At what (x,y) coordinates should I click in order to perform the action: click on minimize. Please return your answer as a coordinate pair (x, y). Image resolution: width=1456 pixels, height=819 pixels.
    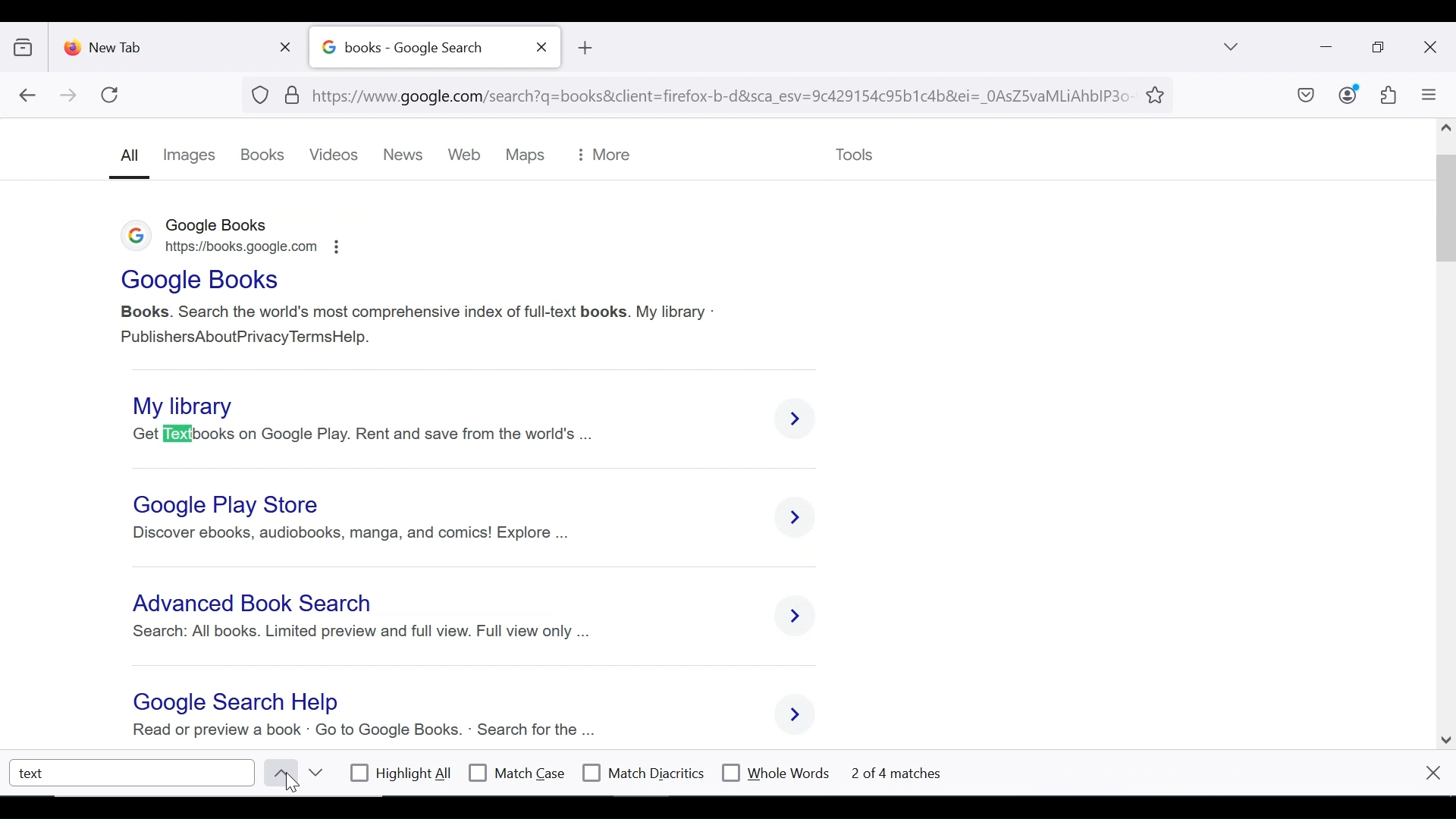
    Looking at the image, I should click on (1324, 45).